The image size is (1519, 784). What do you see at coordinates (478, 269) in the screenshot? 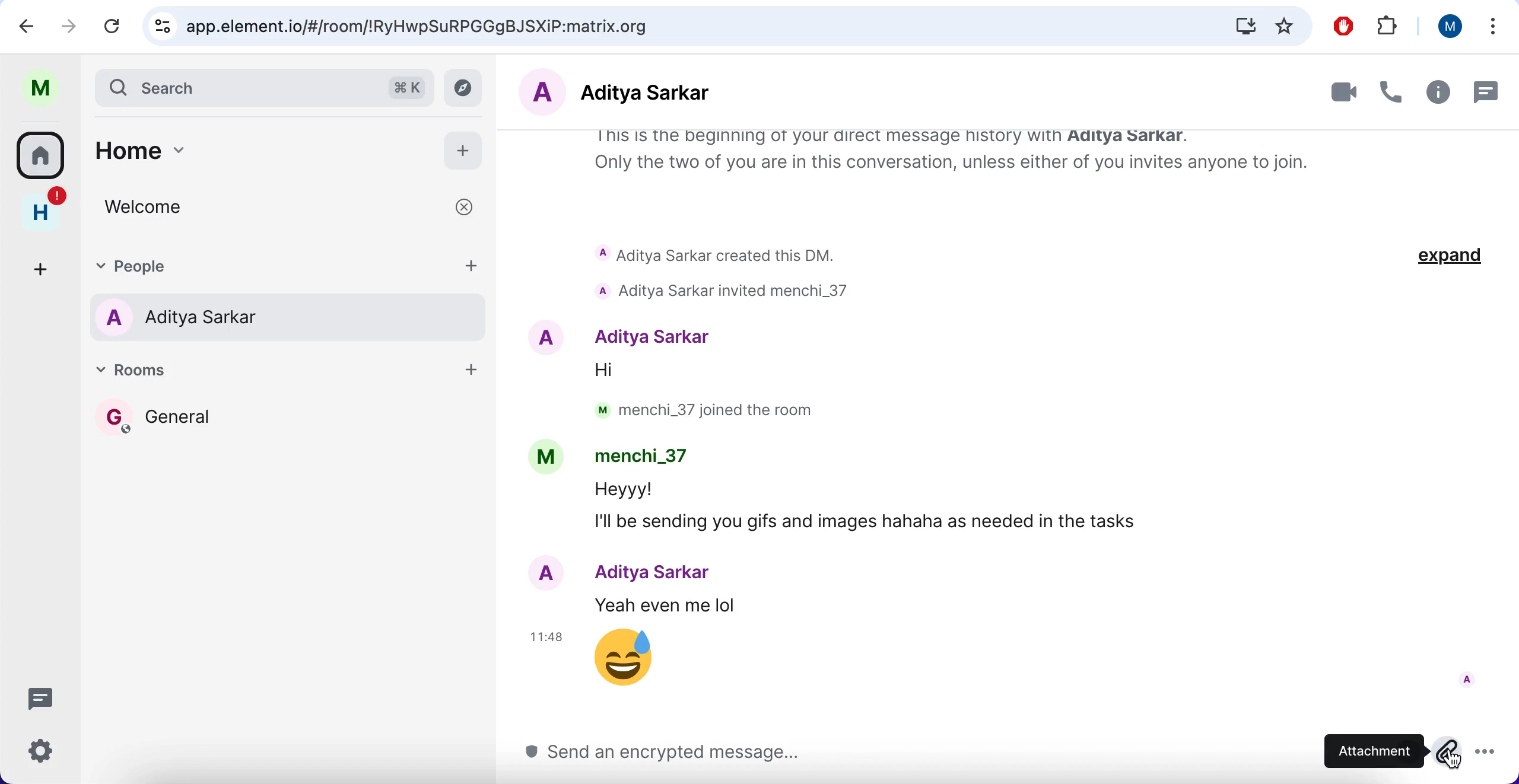
I see `add people` at bounding box center [478, 269].